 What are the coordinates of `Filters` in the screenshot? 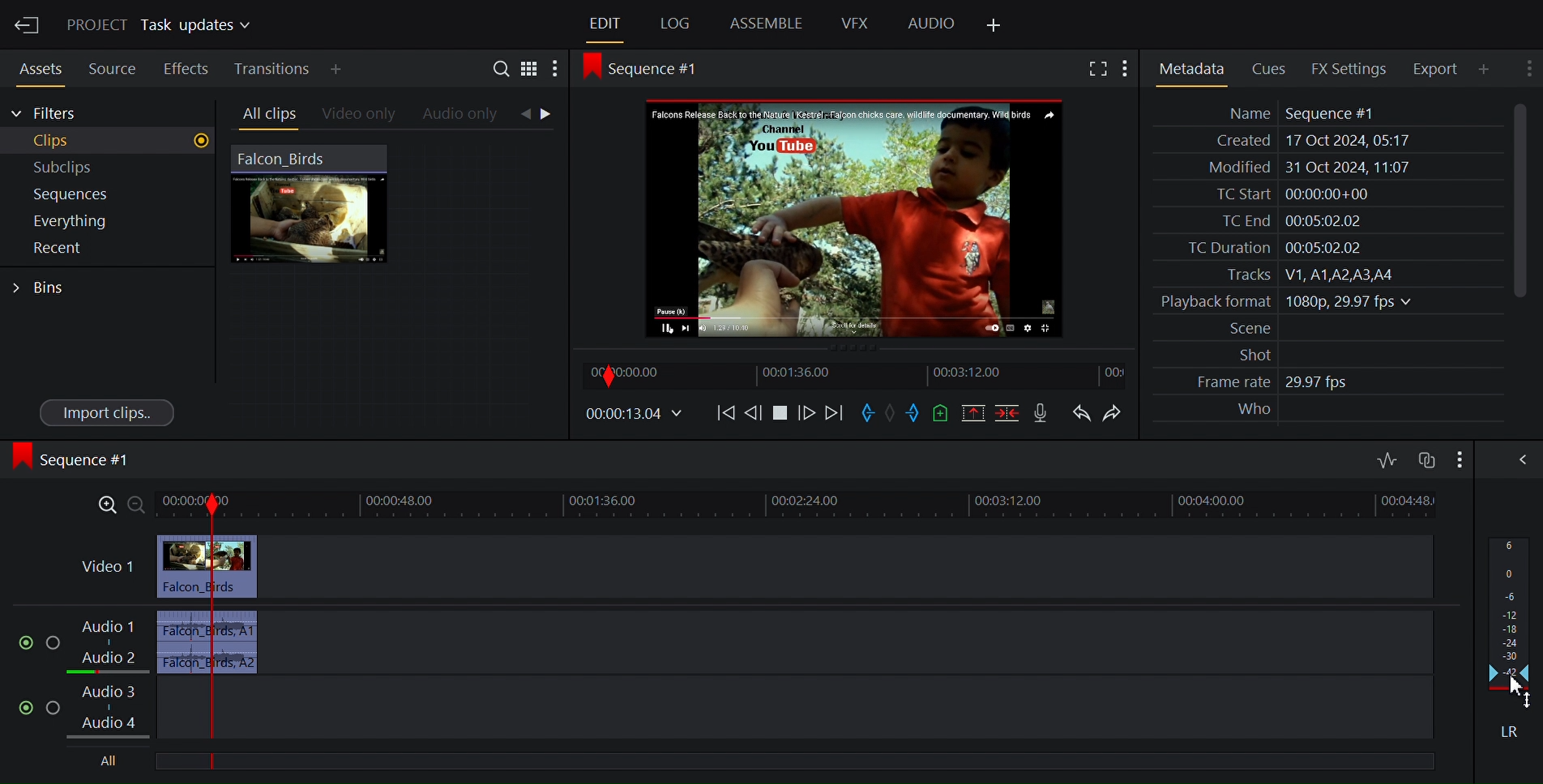 It's located at (46, 114).